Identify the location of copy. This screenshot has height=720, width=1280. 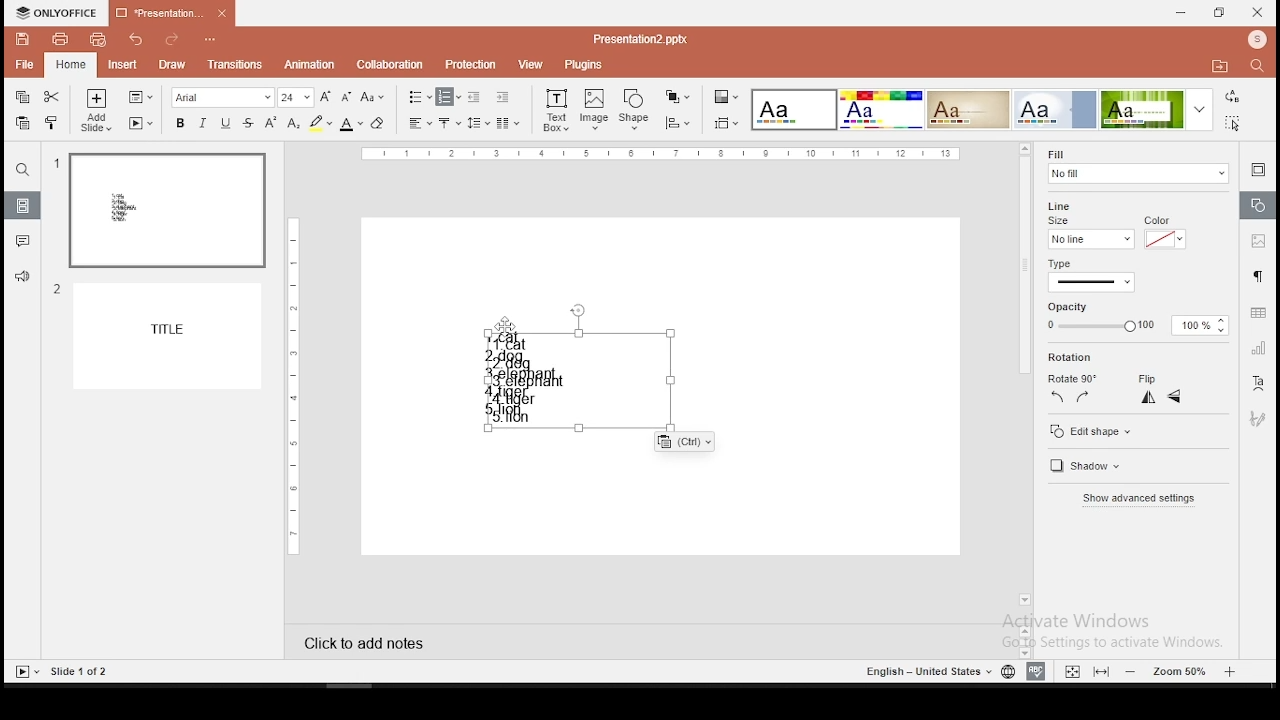
(23, 97).